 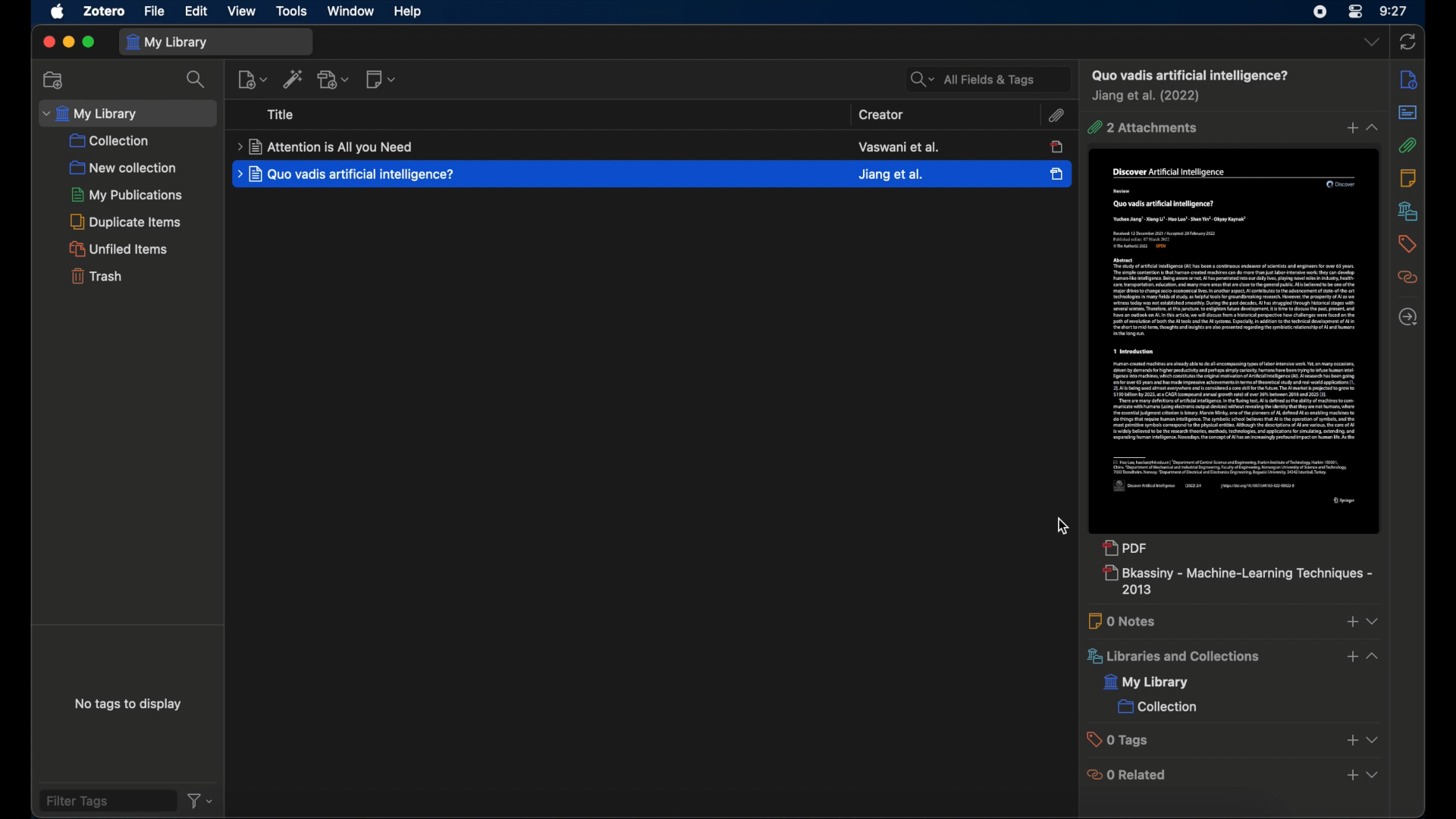 What do you see at coordinates (52, 79) in the screenshot?
I see `new collection` at bounding box center [52, 79].